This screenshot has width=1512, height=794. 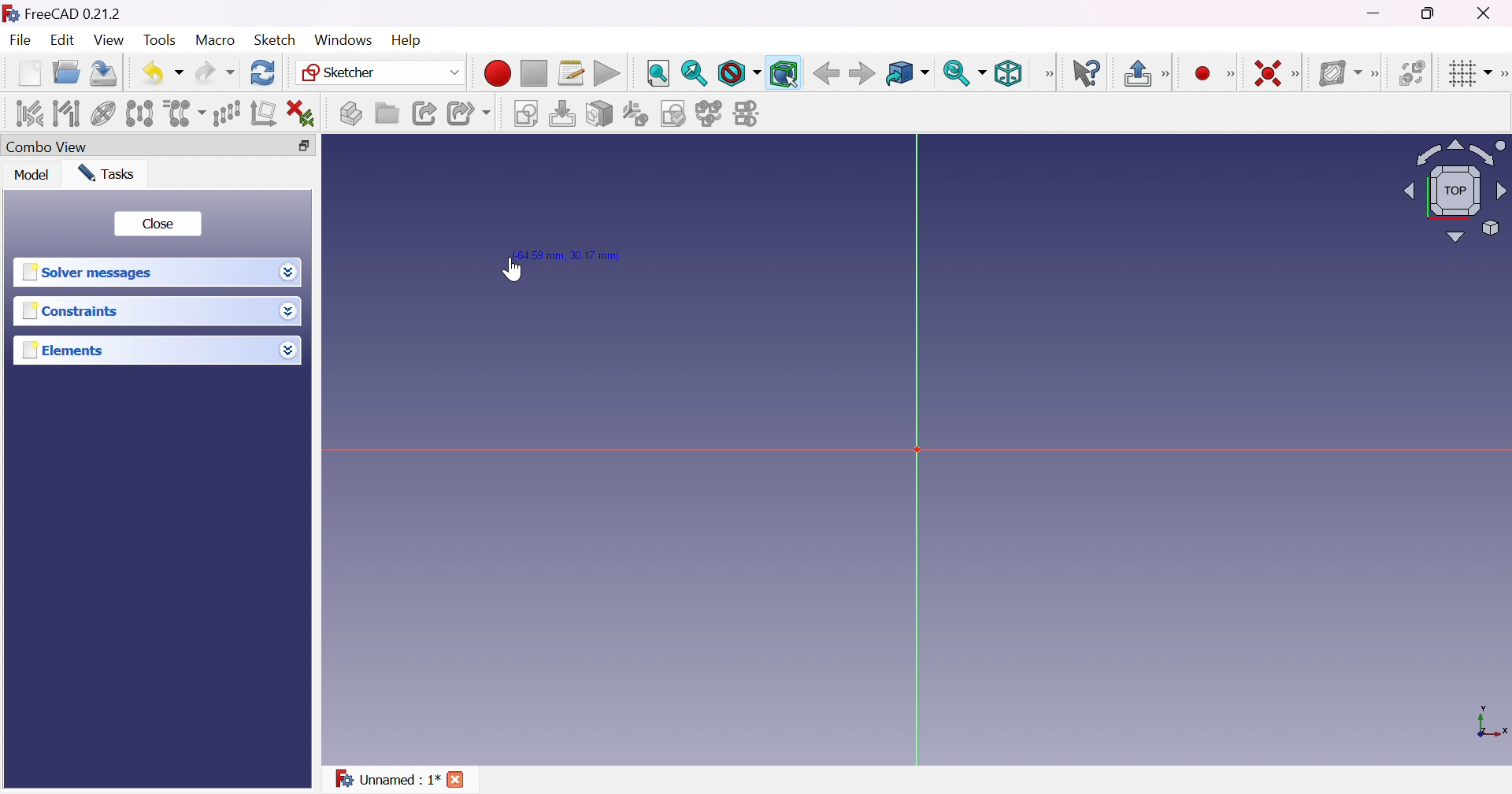 I want to click on Validate sketch..., so click(x=673, y=114).